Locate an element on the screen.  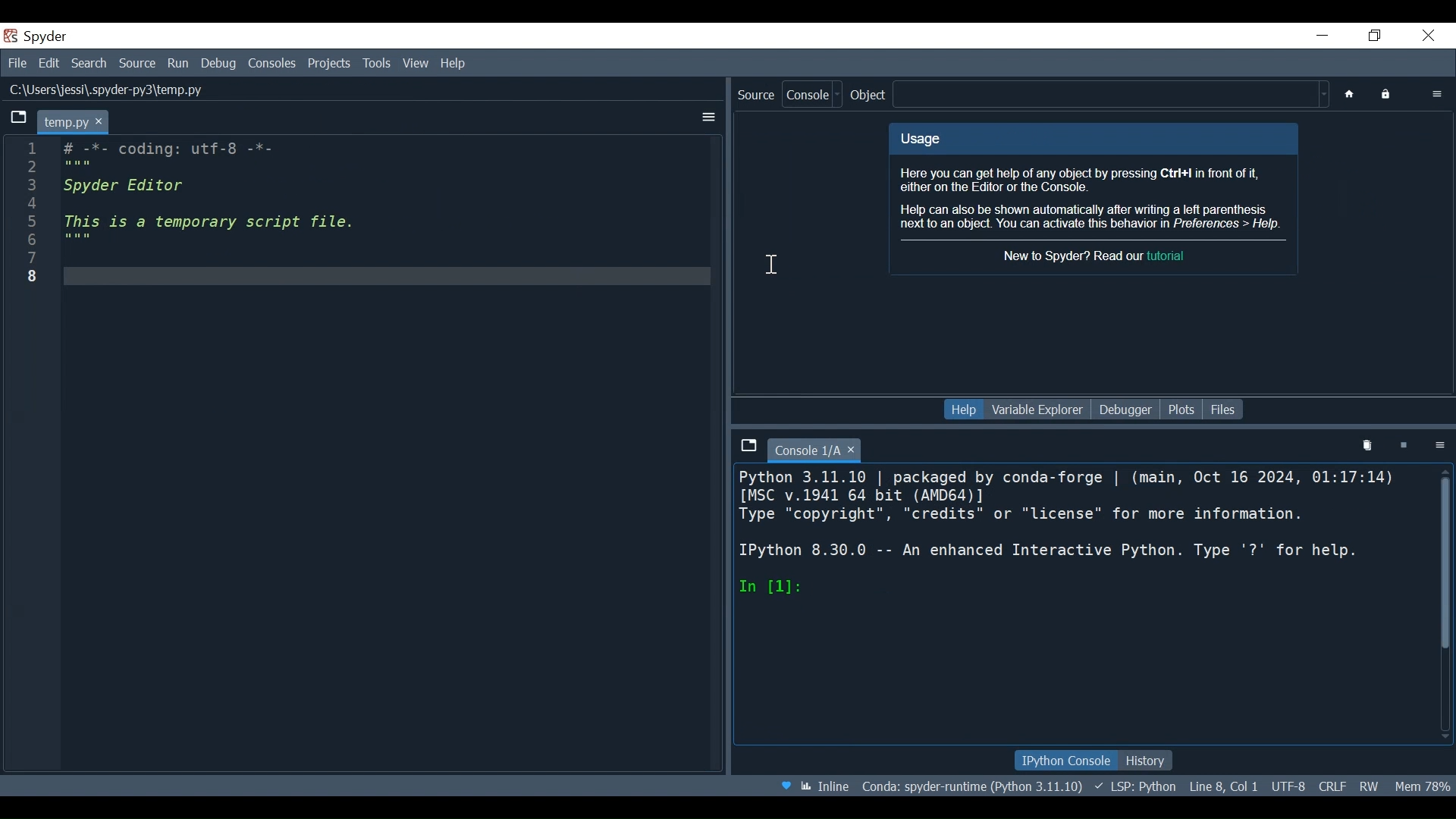
File Encoding is located at coordinates (1288, 786).